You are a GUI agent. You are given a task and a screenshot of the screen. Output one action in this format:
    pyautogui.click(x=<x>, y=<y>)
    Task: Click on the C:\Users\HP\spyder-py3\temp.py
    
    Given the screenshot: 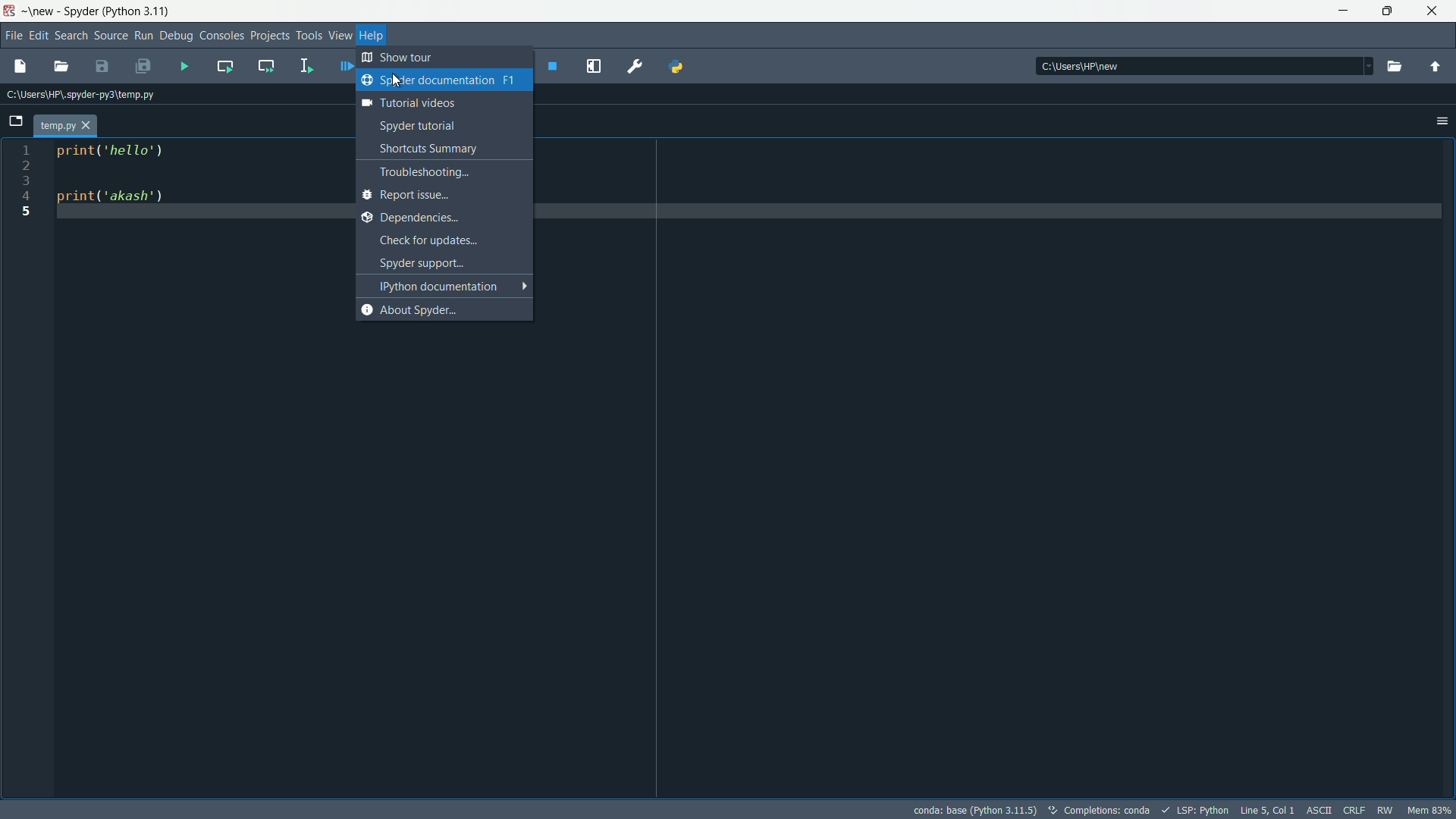 What is the action you would take?
    pyautogui.click(x=86, y=96)
    